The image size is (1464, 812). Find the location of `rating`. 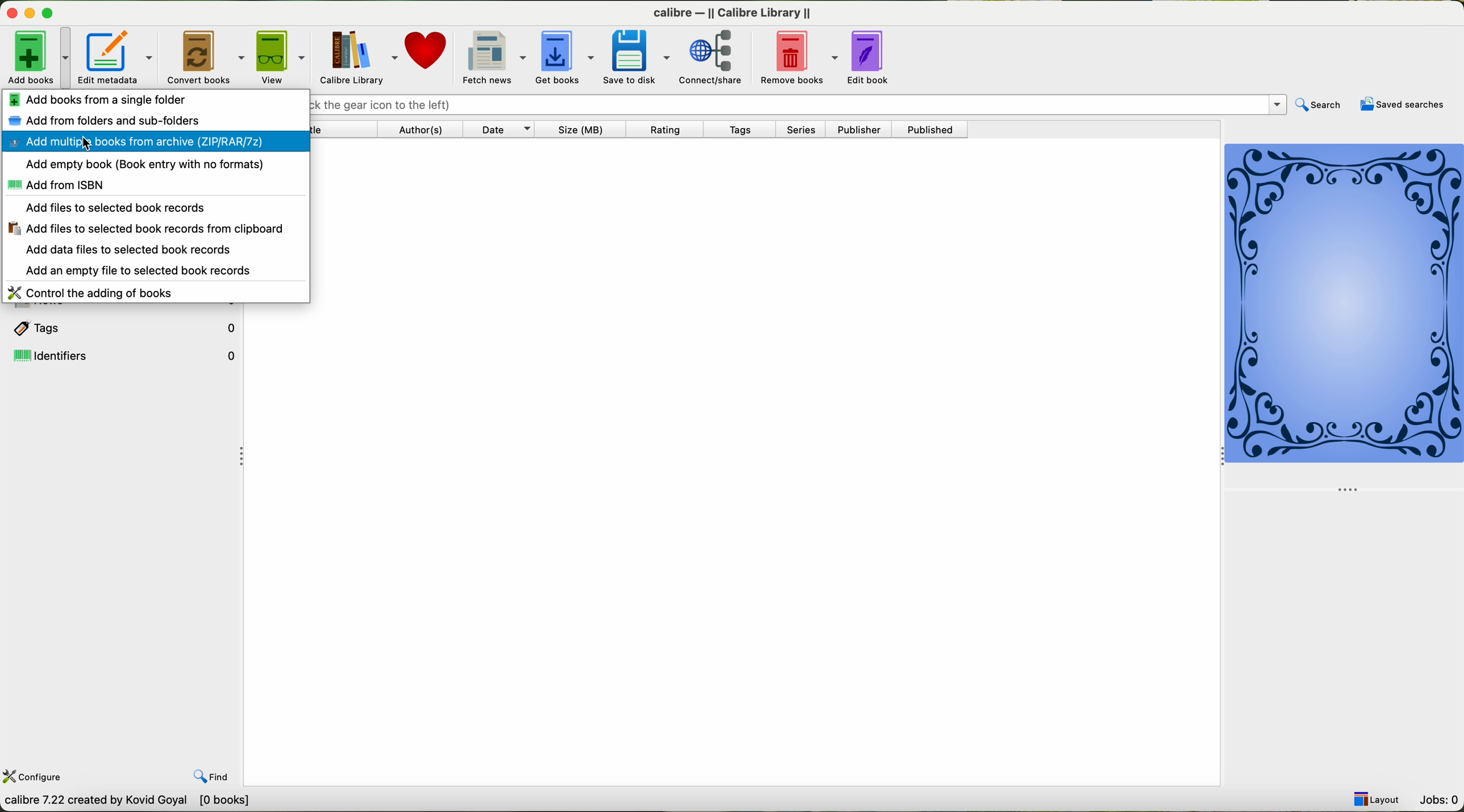

rating is located at coordinates (669, 130).